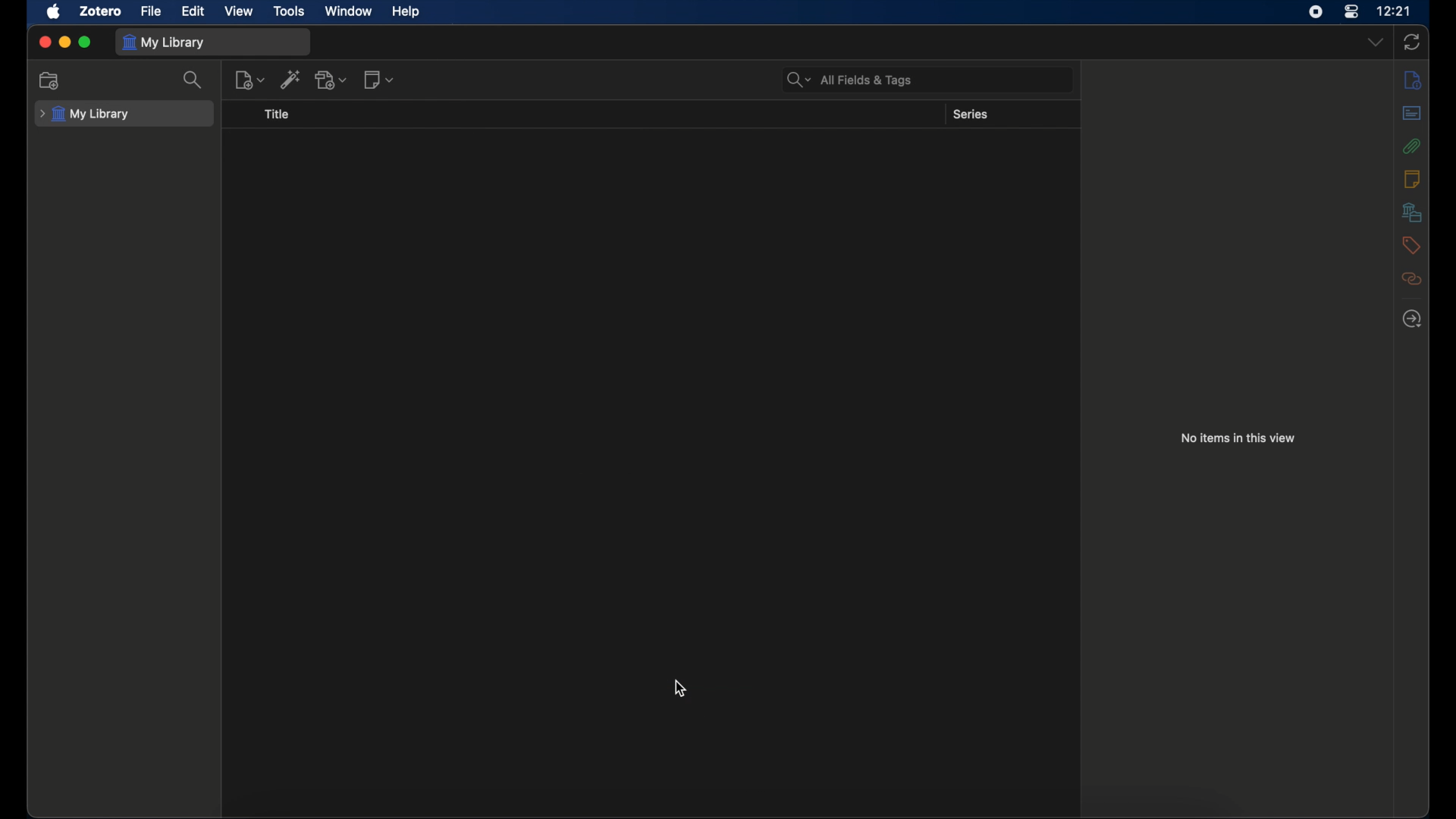 This screenshot has width=1456, height=819. I want to click on help, so click(406, 12).